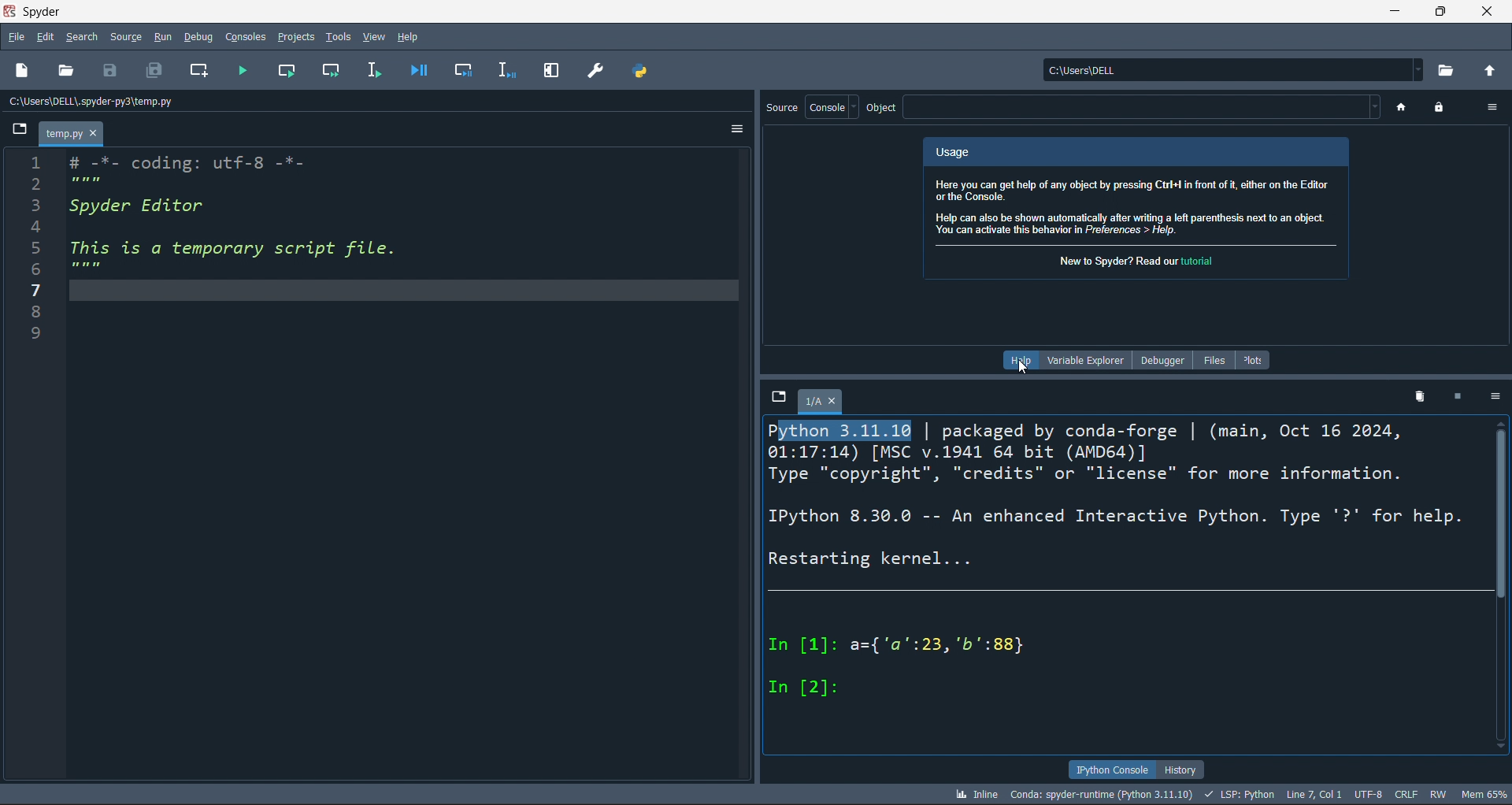  What do you see at coordinates (958, 153) in the screenshot?
I see `Usage` at bounding box center [958, 153].